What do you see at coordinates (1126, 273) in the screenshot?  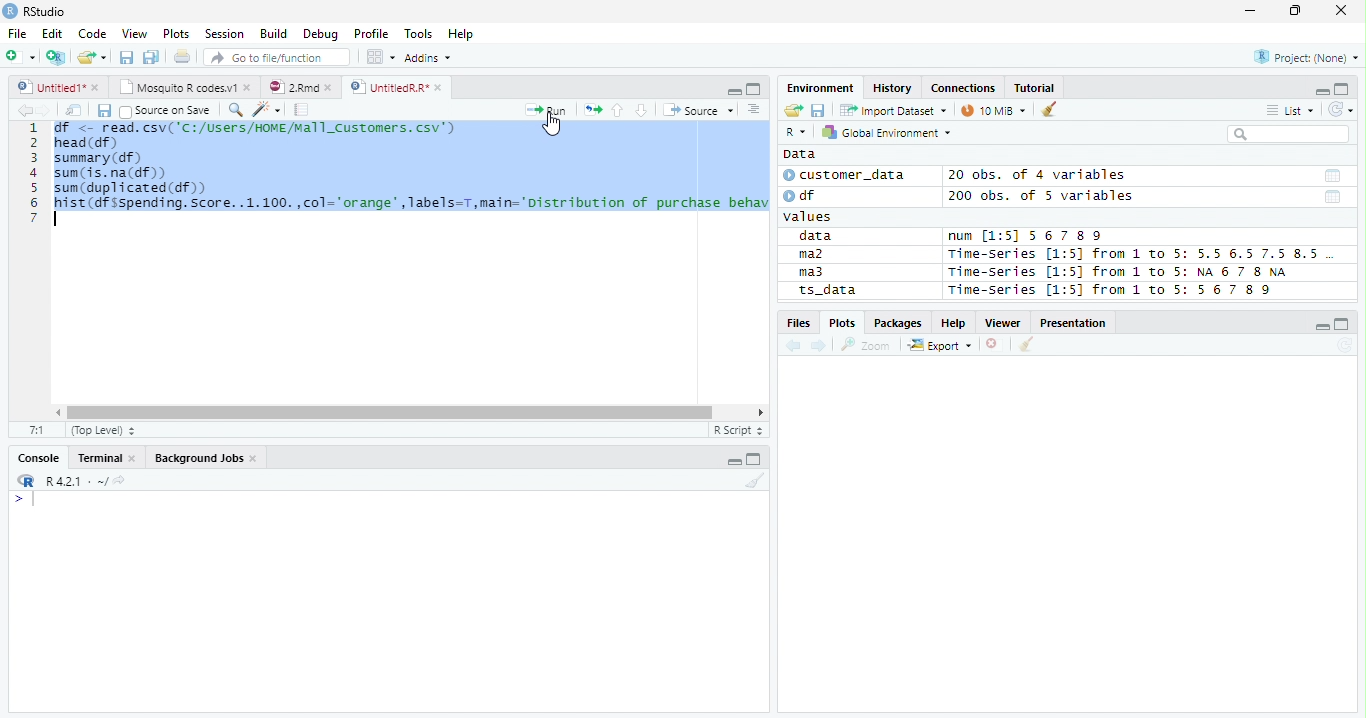 I see `Time-series [1:5] from 1 to 5: NA 6 7 8 NA` at bounding box center [1126, 273].